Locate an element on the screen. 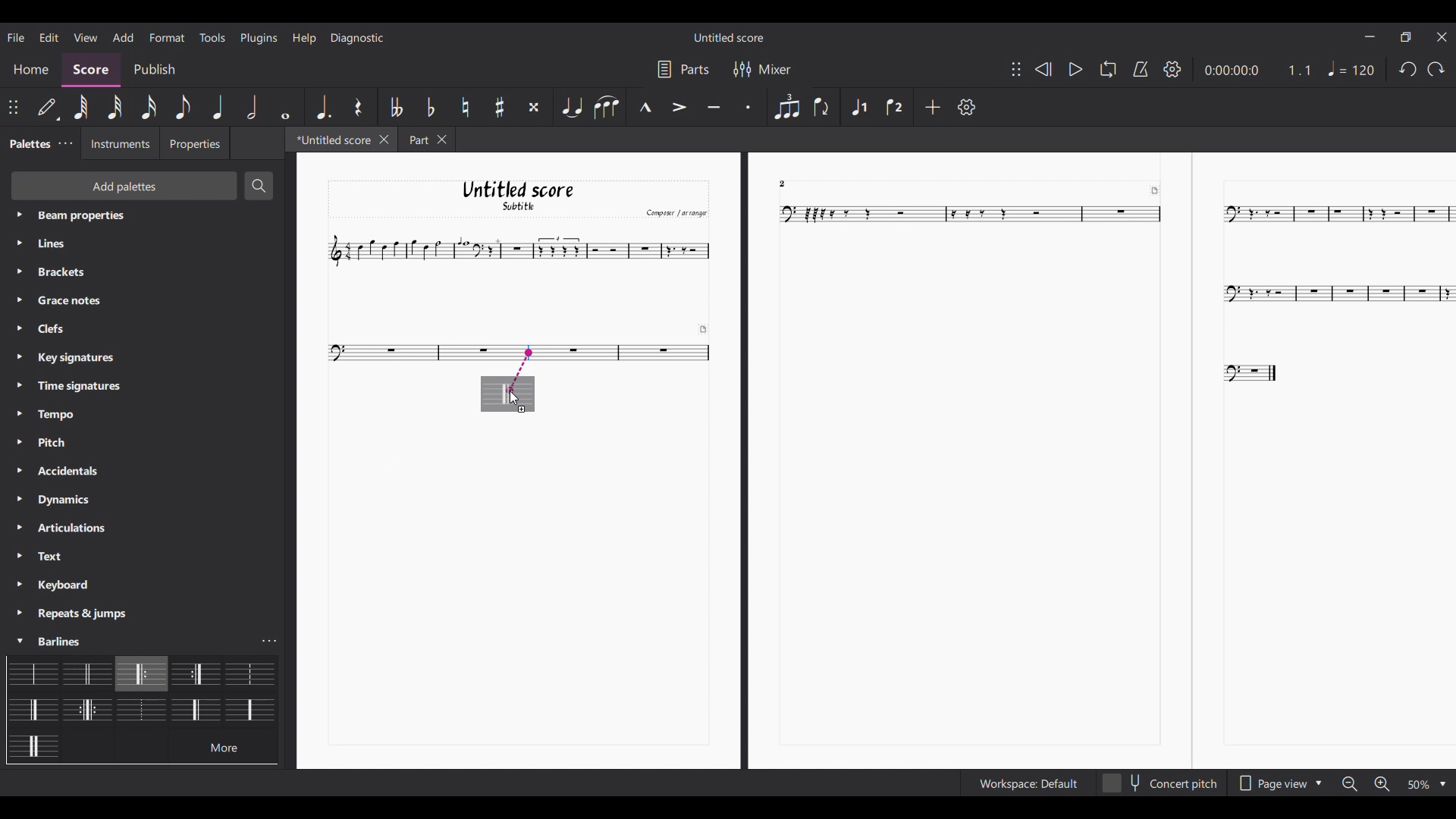 Image resolution: width=1456 pixels, height=819 pixels. Instruments tab is located at coordinates (118, 143).